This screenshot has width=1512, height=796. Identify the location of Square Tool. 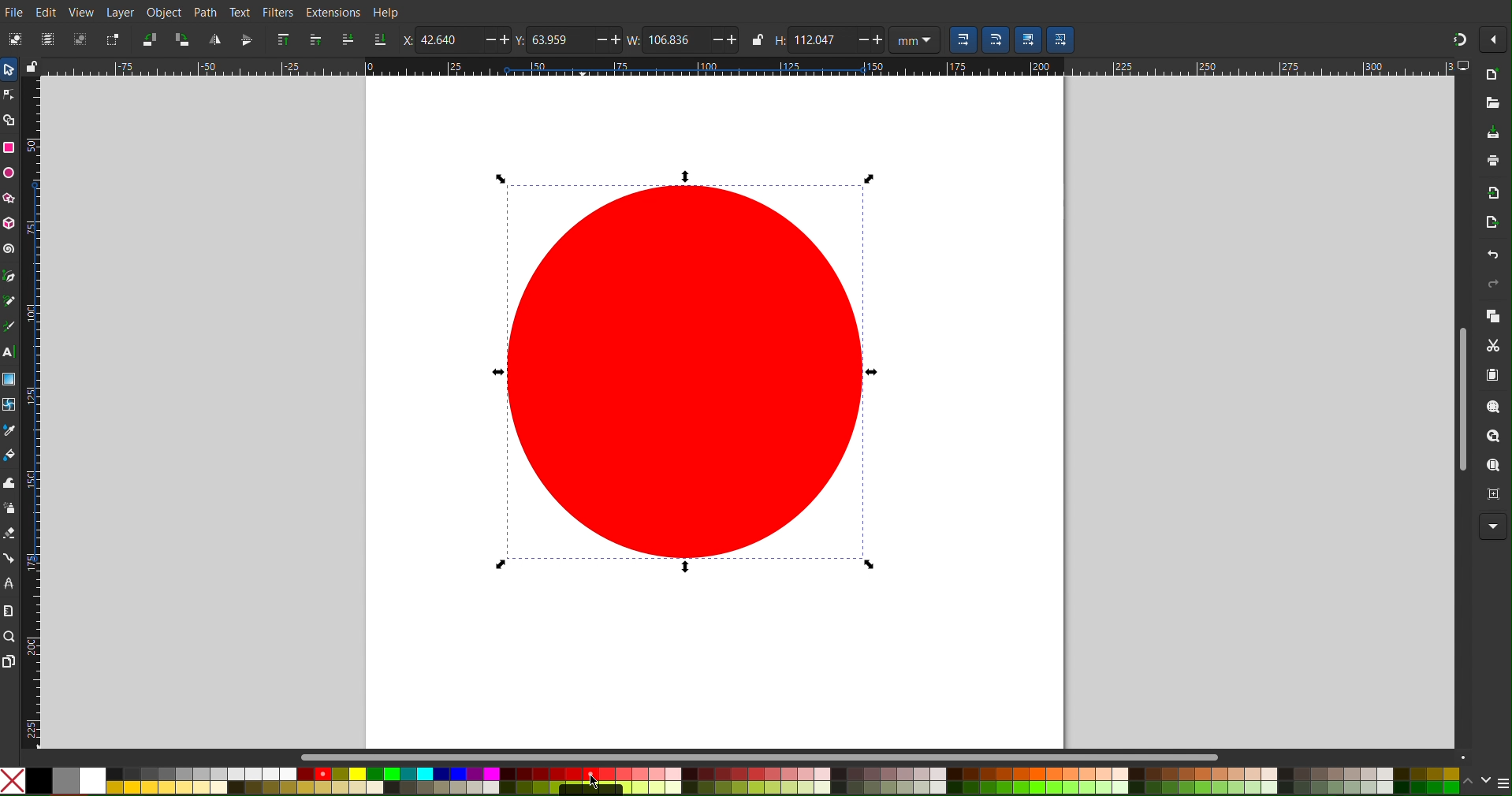
(9, 148).